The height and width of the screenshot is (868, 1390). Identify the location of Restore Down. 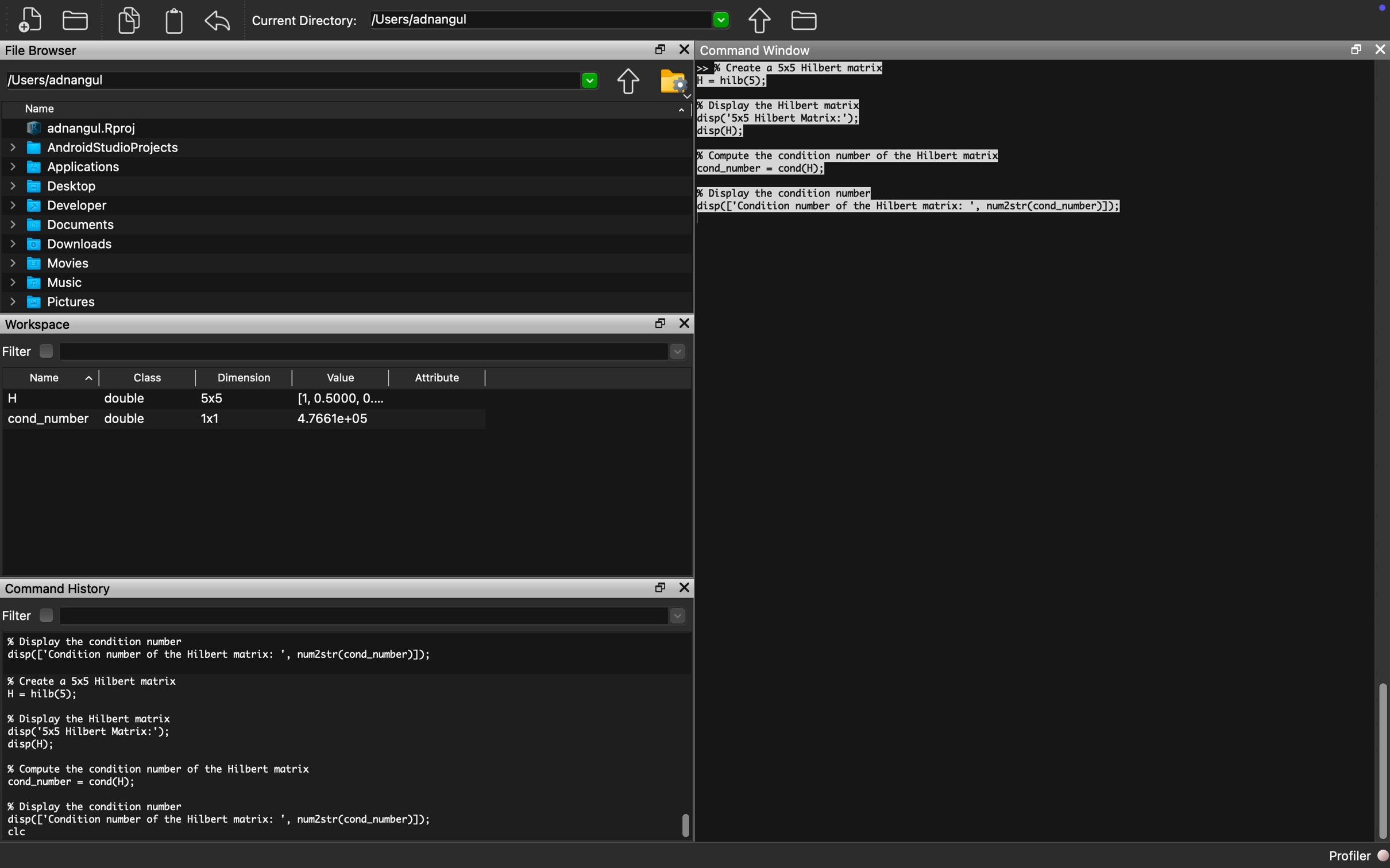
(660, 322).